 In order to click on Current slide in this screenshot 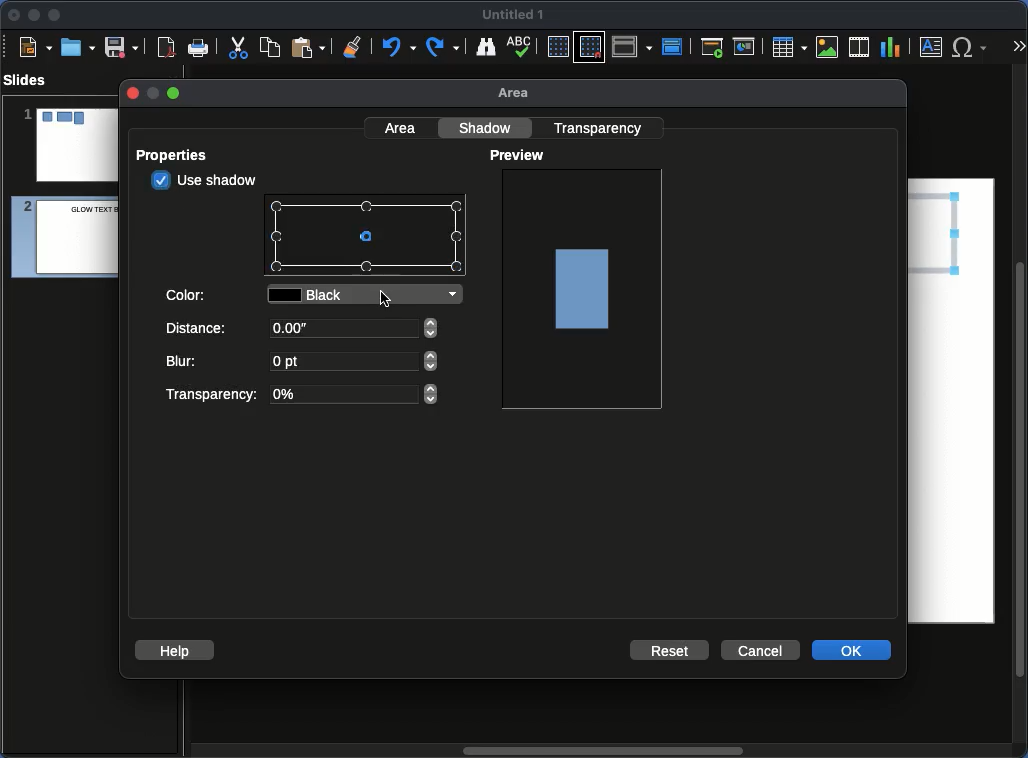, I will do `click(747, 47)`.